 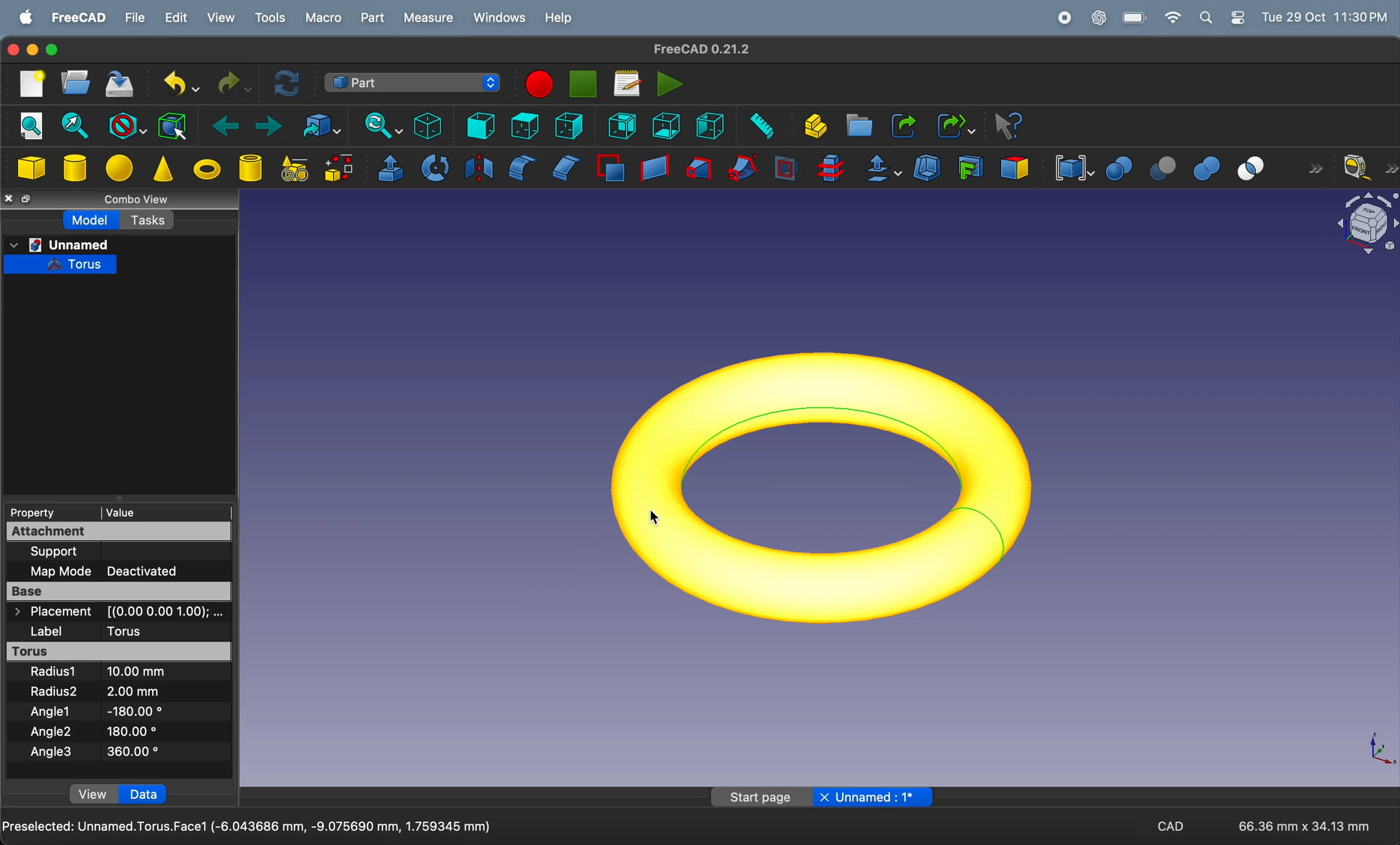 What do you see at coordinates (79, 19) in the screenshot?
I see `free cad` at bounding box center [79, 19].